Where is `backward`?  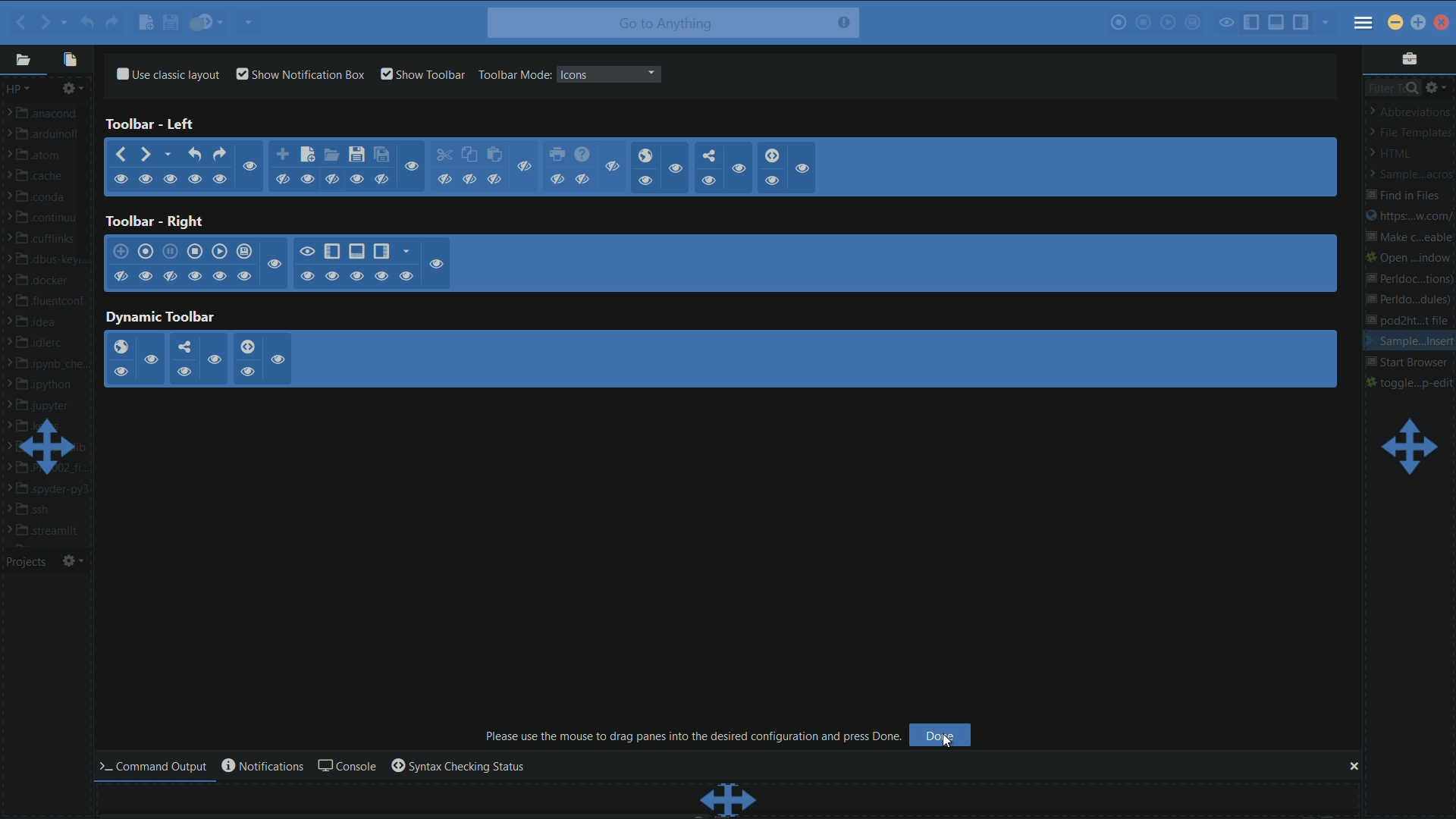
backward is located at coordinates (17, 22).